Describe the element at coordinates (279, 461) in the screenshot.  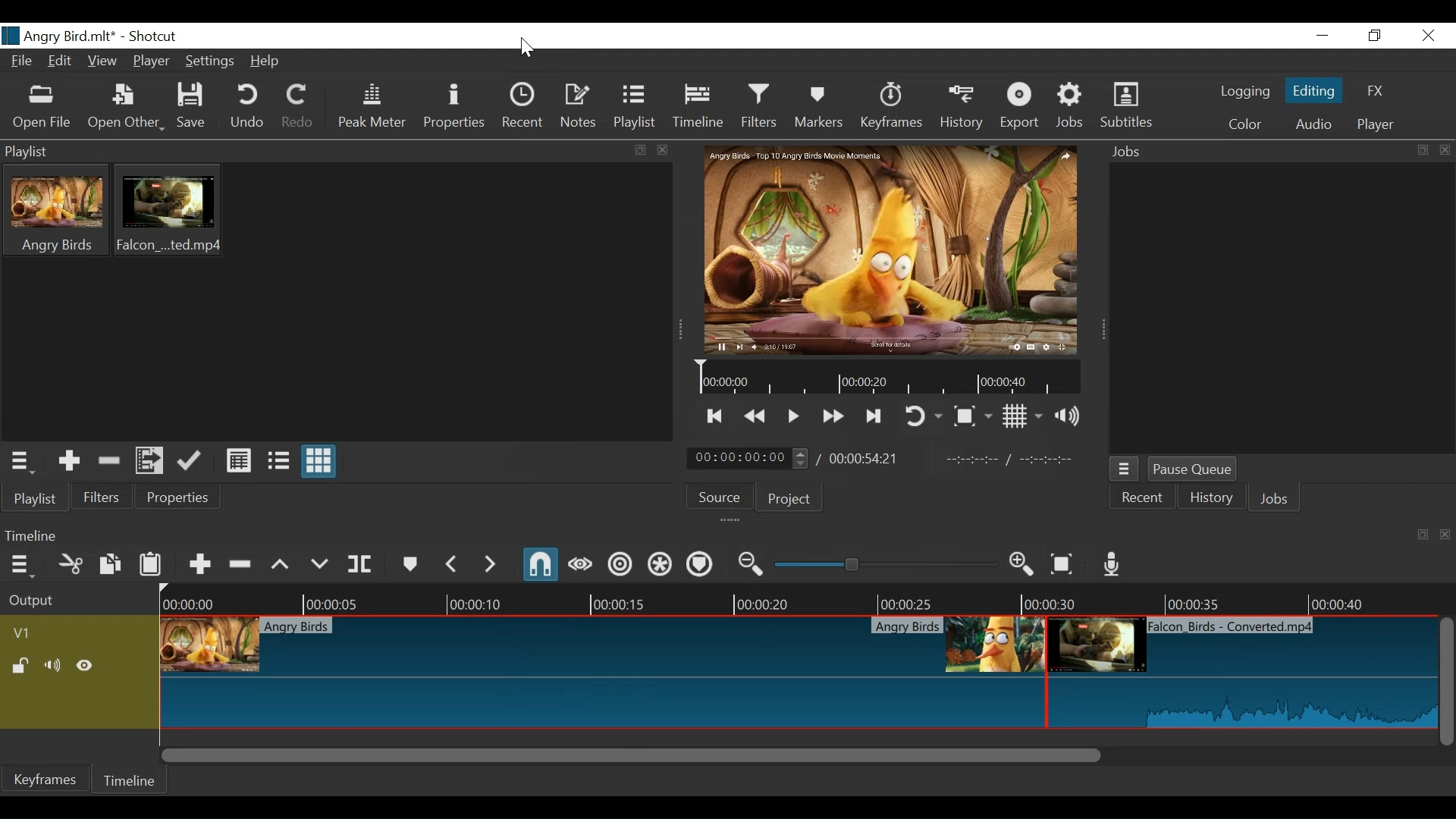
I see `View as files` at that location.